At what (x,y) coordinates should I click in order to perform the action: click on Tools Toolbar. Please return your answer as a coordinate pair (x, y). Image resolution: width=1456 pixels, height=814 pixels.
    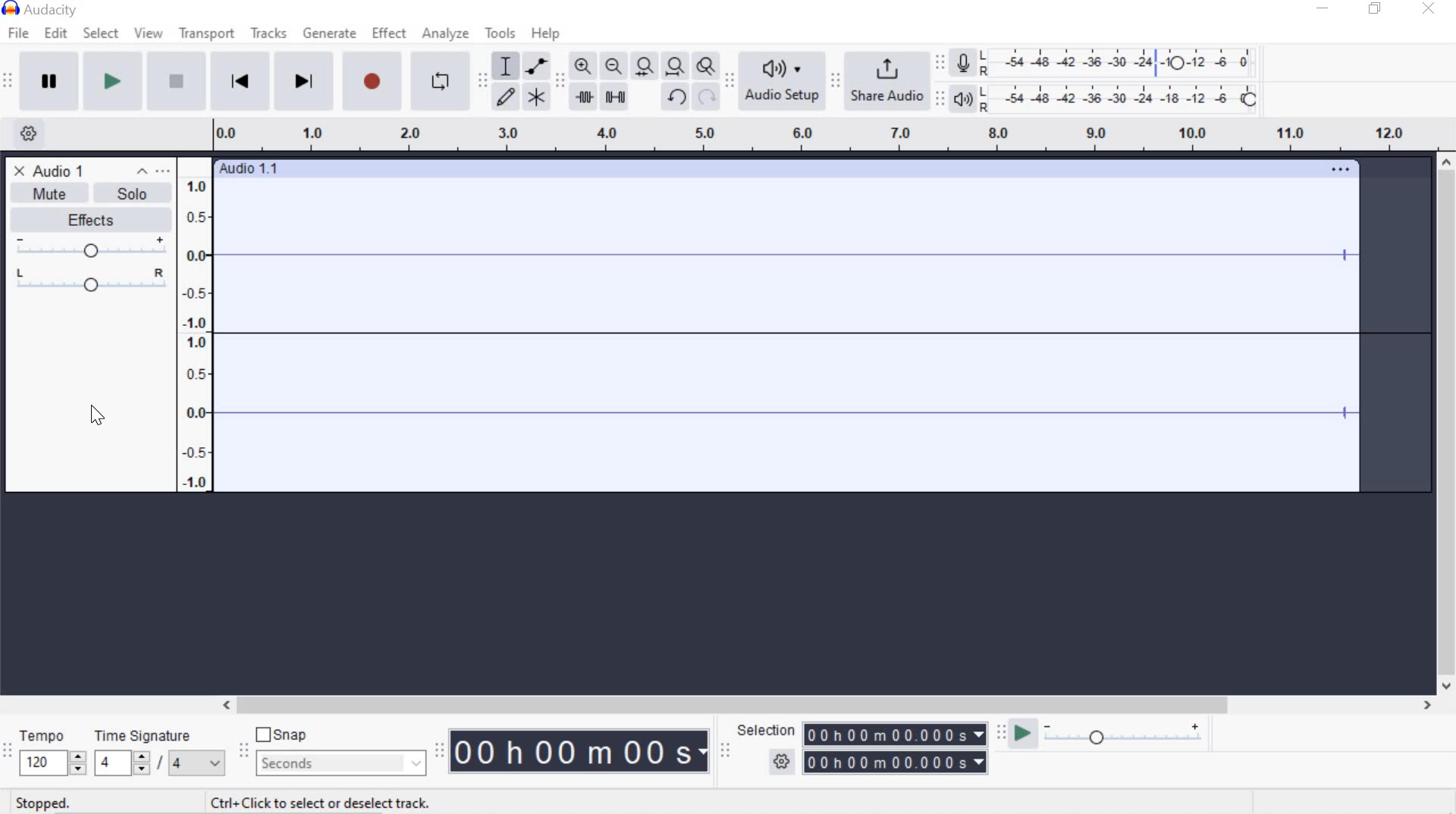
    Looking at the image, I should click on (483, 77).